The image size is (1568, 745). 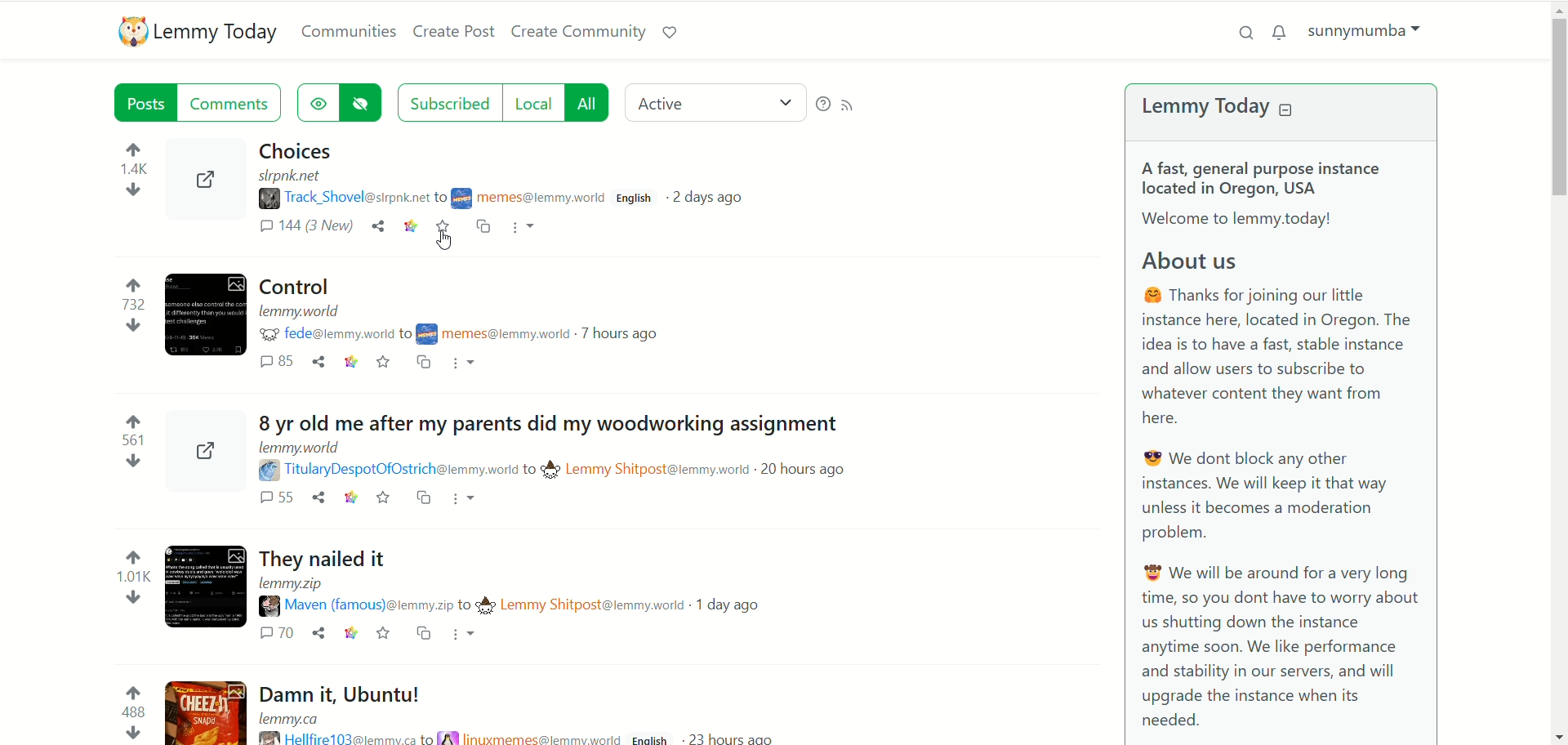 I want to click on votes, so click(x=123, y=442).